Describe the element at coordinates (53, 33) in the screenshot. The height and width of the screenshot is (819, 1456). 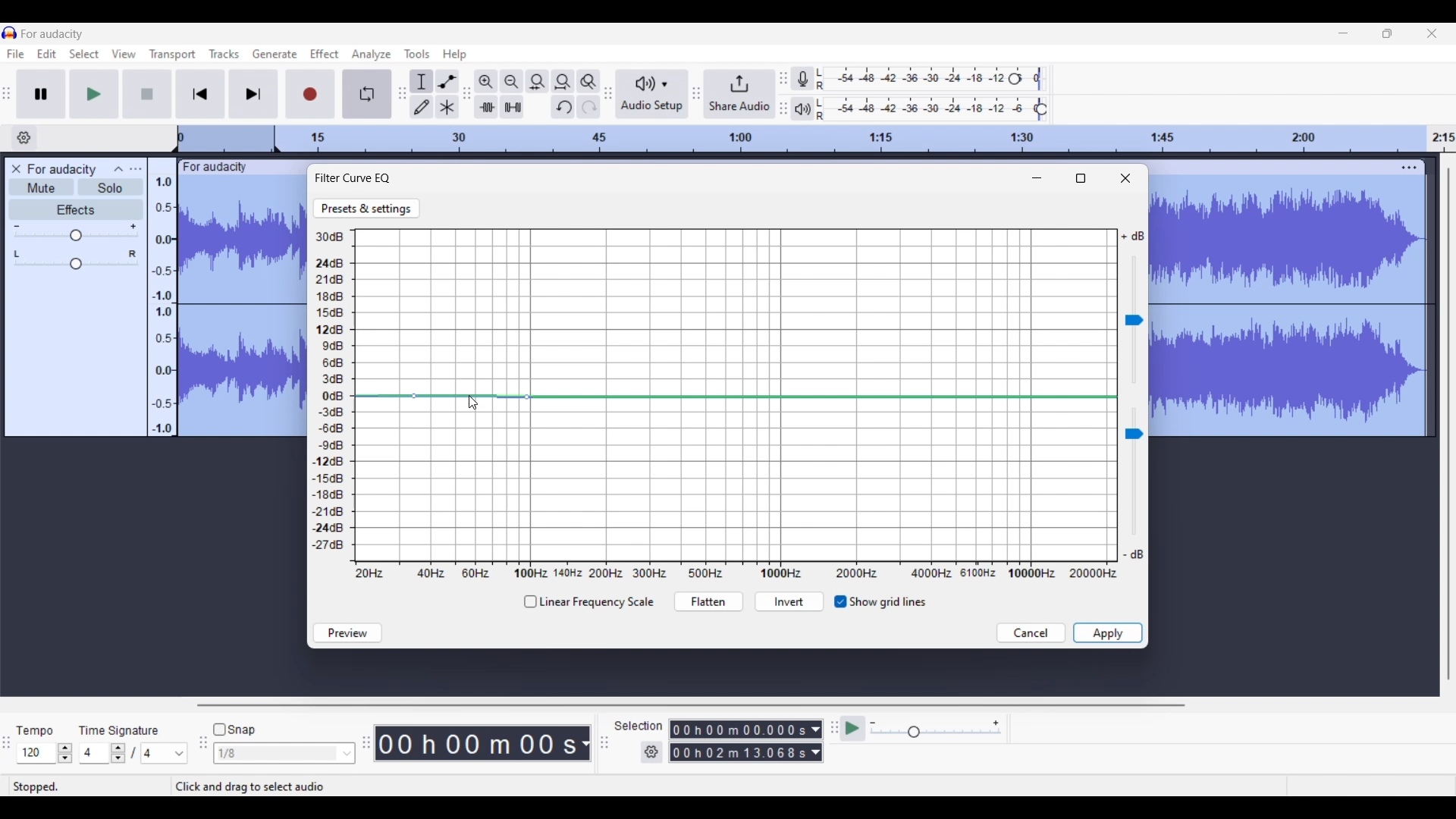
I see `Software name` at that location.